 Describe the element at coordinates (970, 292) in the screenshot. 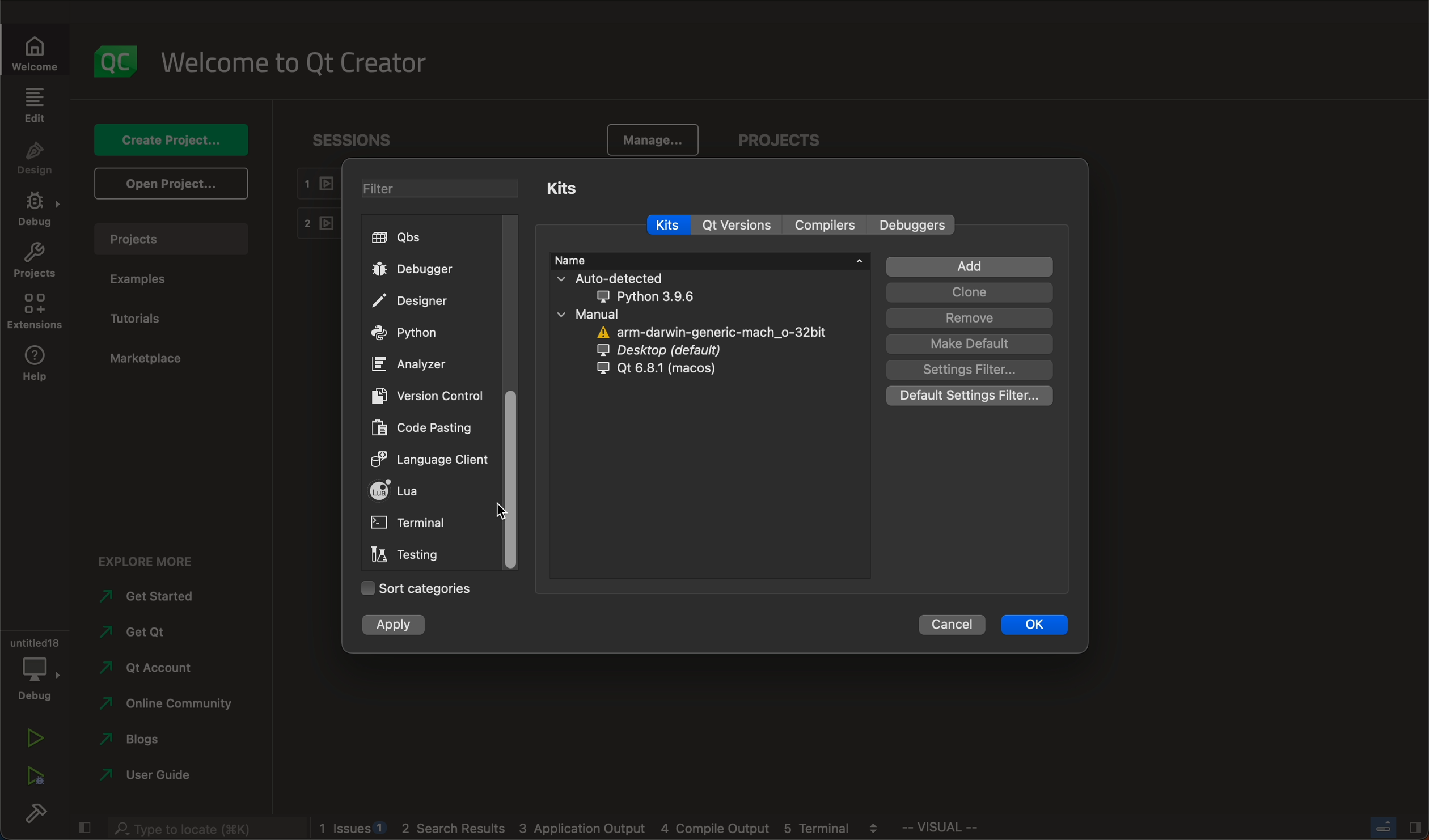

I see `clone` at that location.